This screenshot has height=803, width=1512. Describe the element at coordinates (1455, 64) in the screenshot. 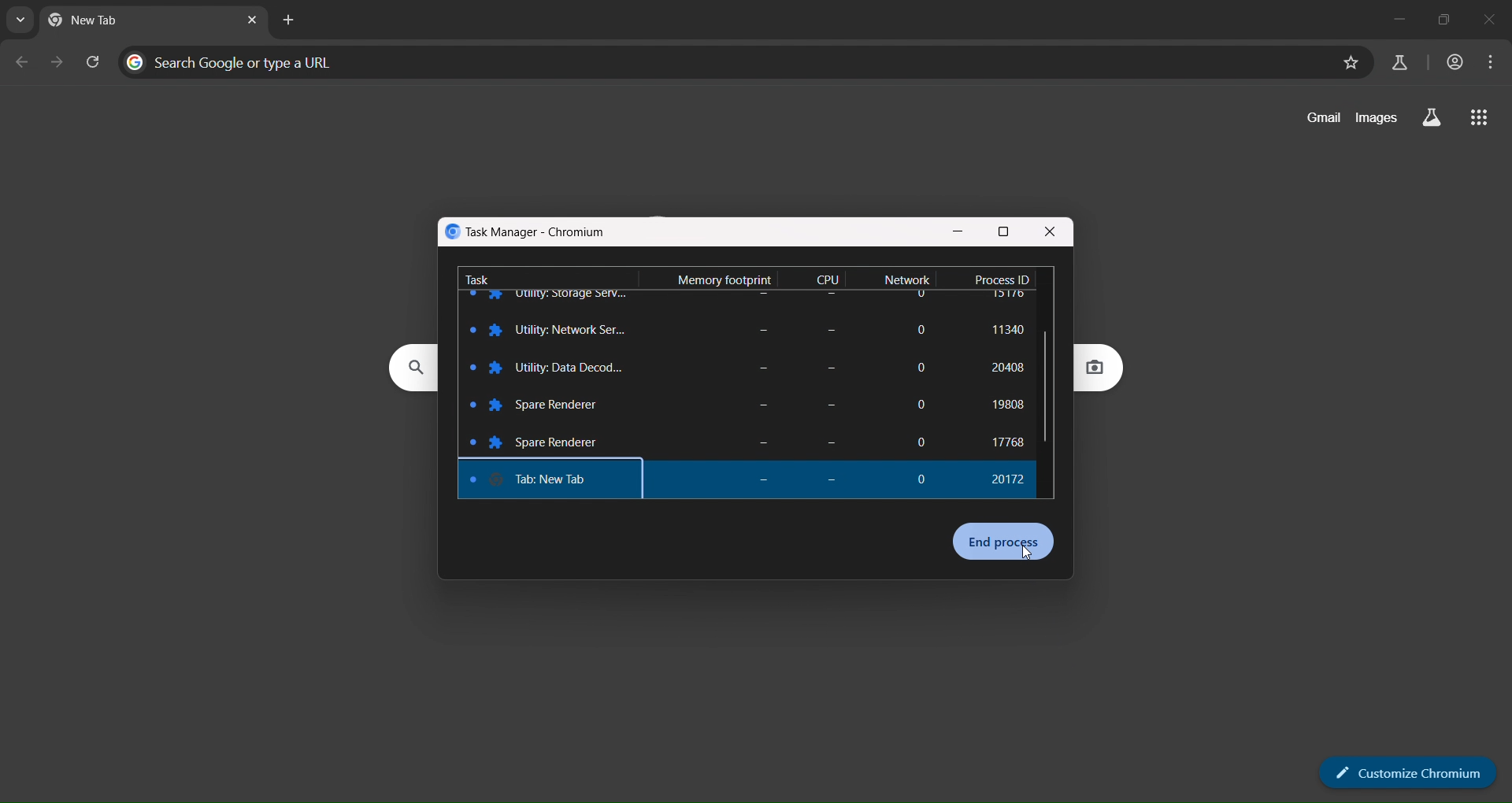

I see `account` at that location.